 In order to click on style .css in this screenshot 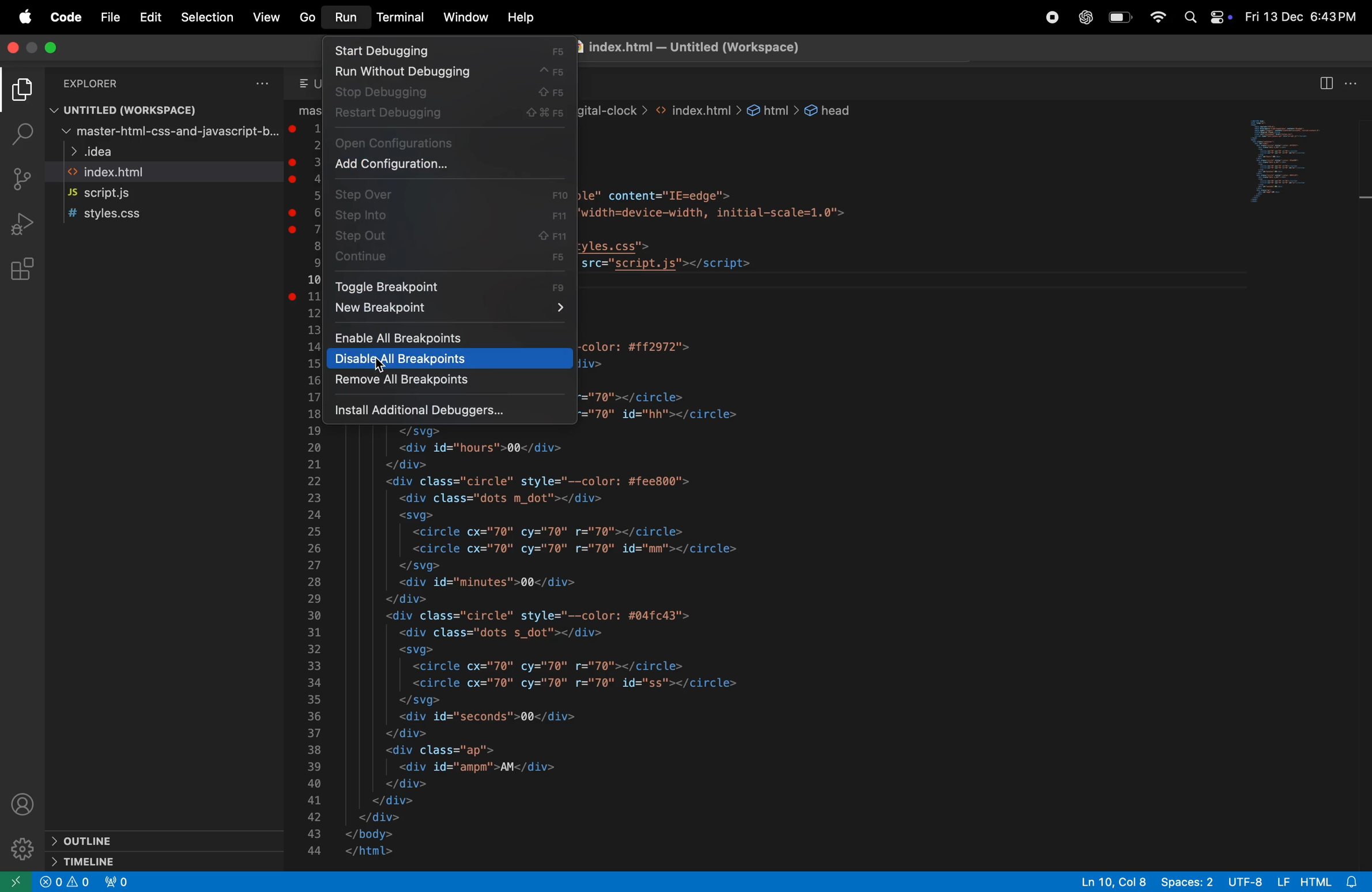, I will do `click(116, 216)`.